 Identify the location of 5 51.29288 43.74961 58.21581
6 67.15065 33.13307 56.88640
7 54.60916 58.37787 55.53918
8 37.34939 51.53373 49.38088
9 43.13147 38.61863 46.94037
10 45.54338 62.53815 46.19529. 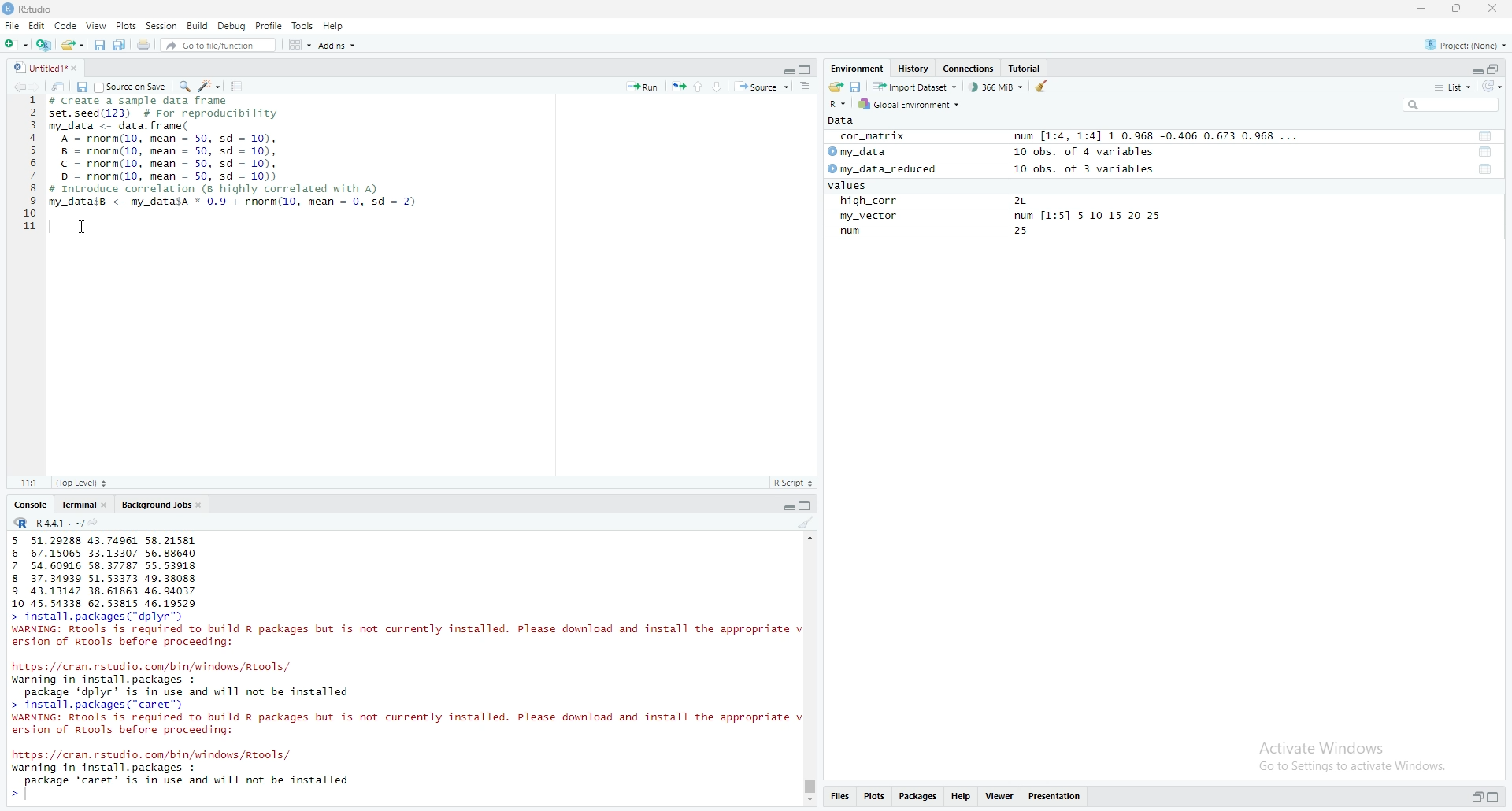
(102, 572).